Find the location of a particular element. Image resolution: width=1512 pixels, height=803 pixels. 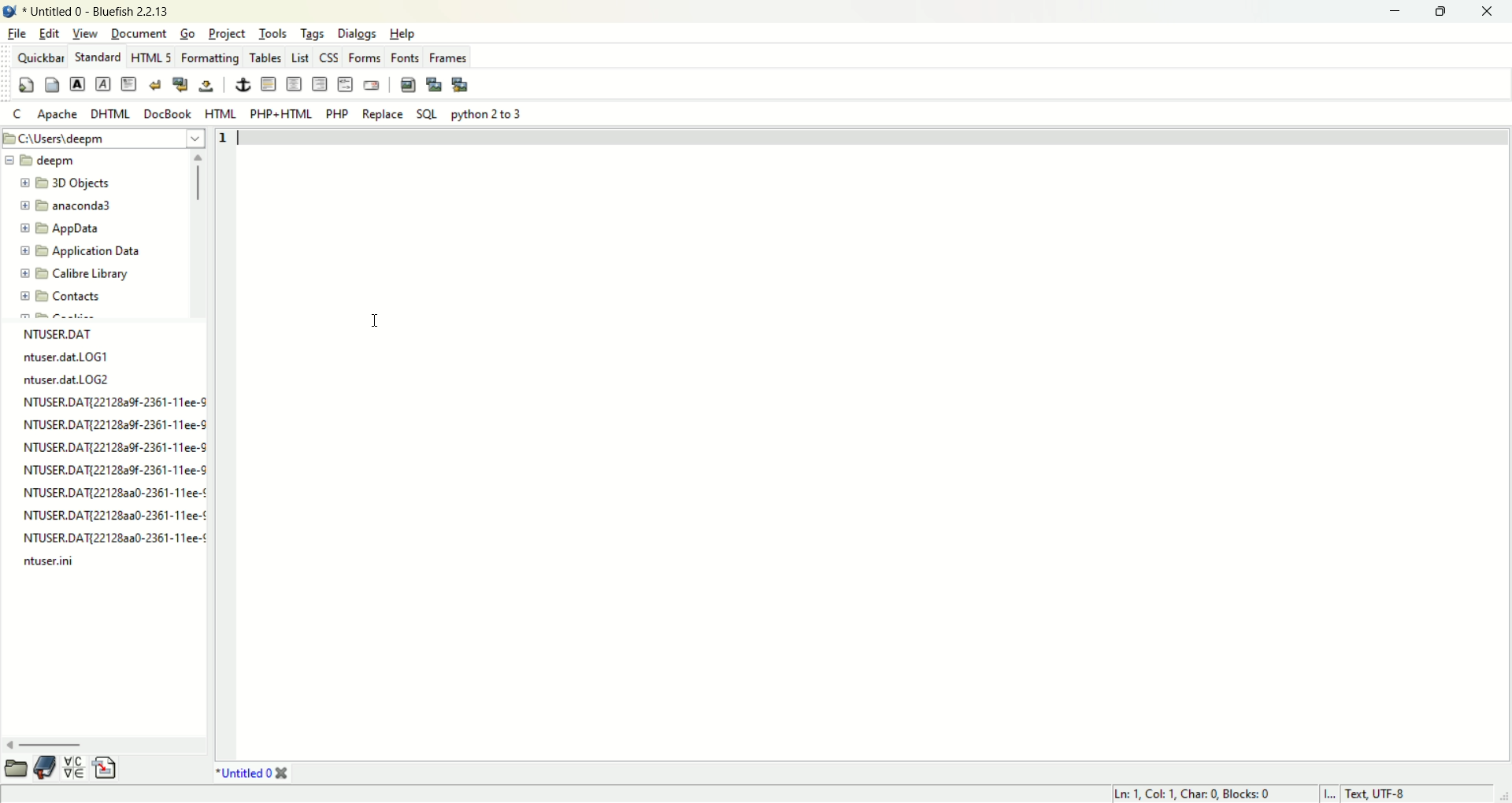

dialogs is located at coordinates (361, 34).